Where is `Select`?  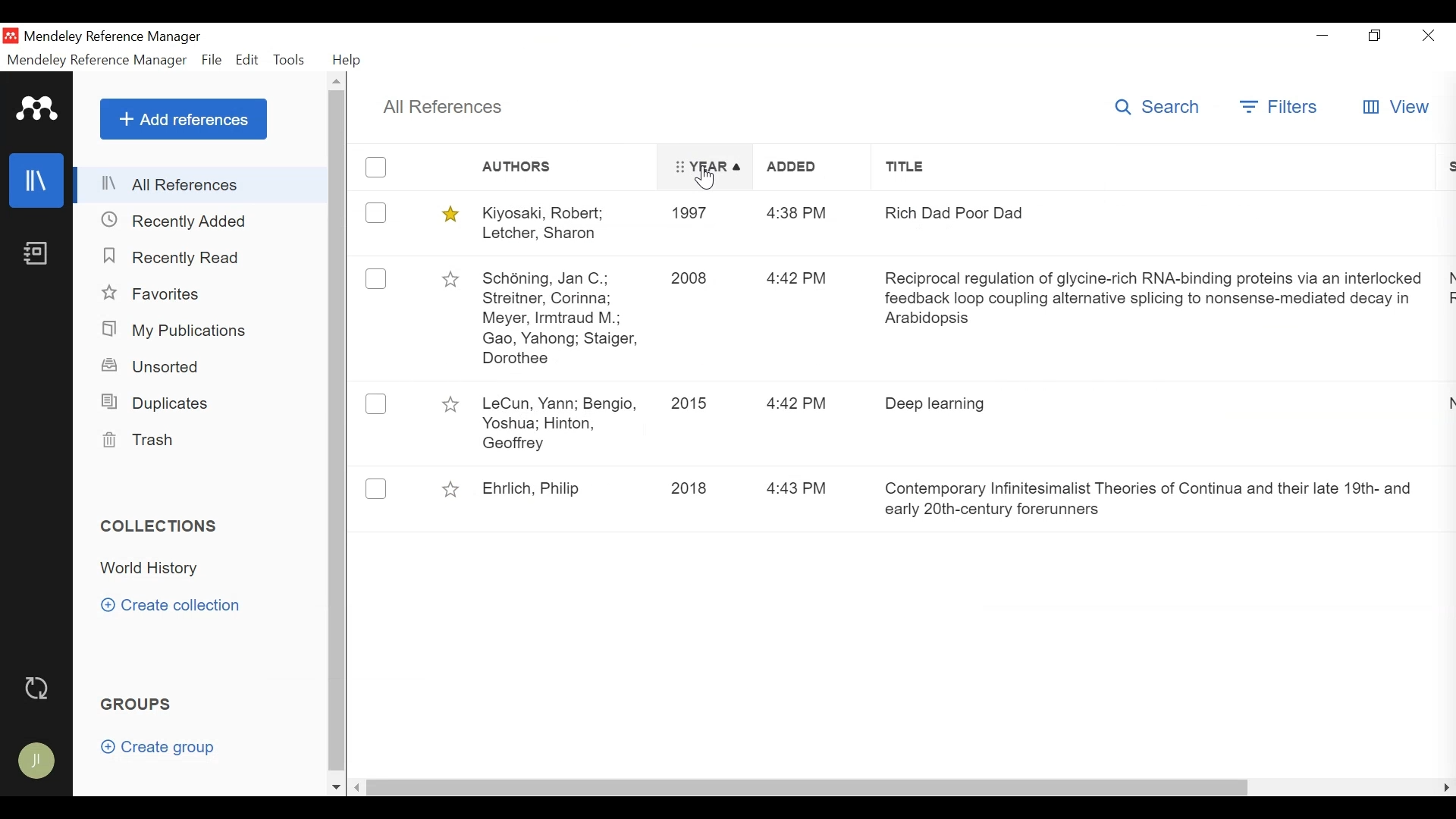
Select is located at coordinates (376, 489).